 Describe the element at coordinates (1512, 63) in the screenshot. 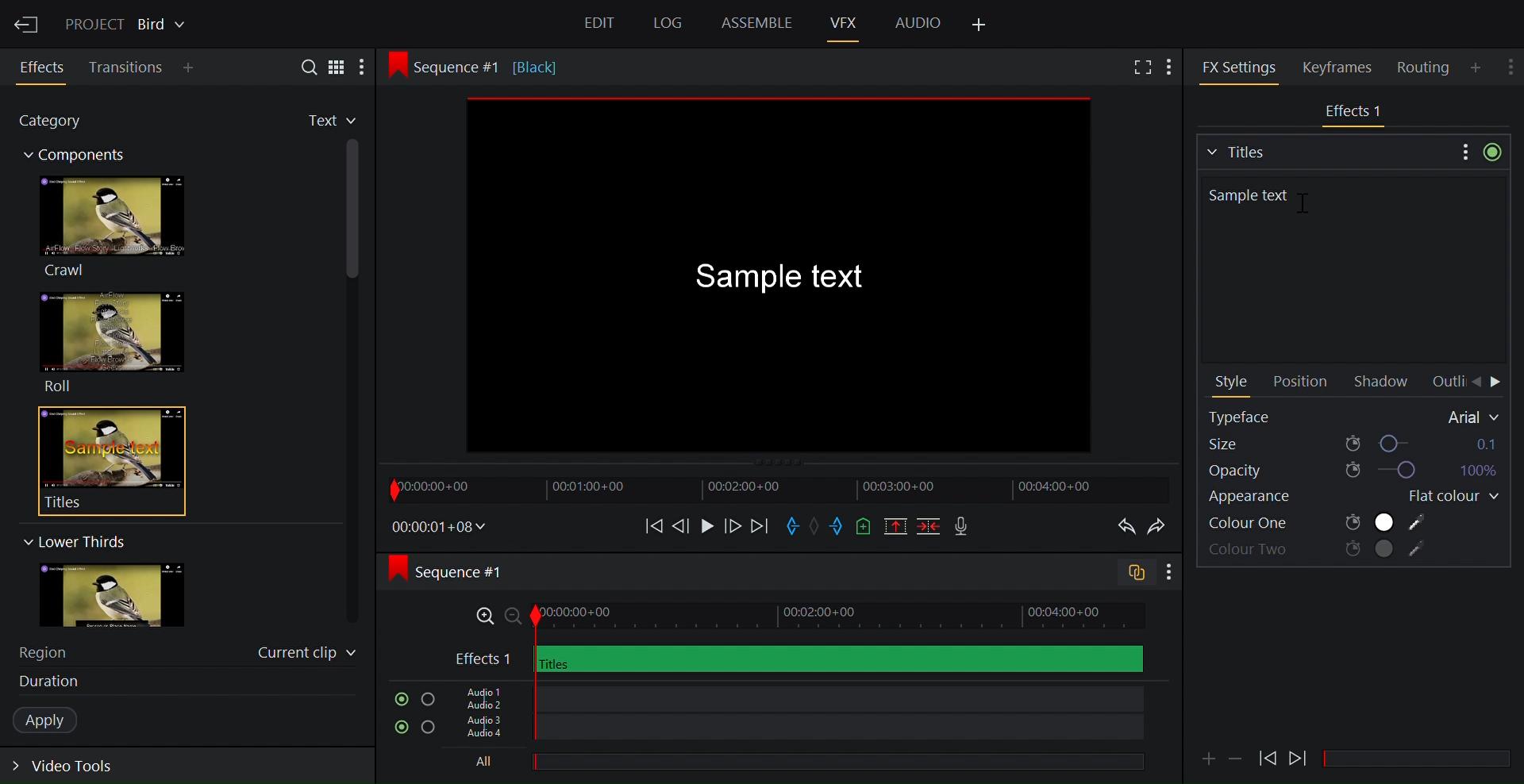

I see `Show settings menu` at that location.